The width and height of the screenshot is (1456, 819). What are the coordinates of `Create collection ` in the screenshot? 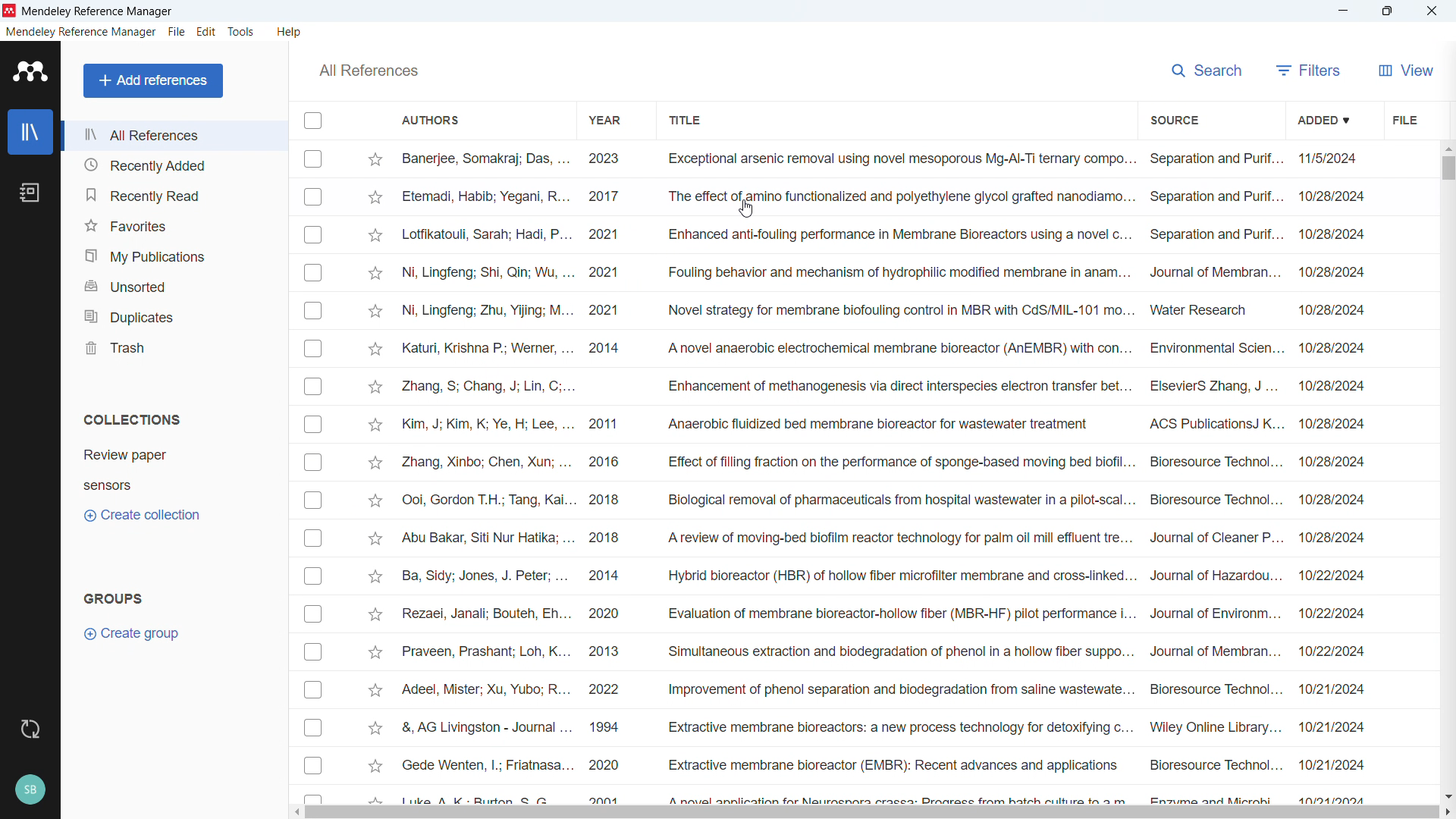 It's located at (143, 516).